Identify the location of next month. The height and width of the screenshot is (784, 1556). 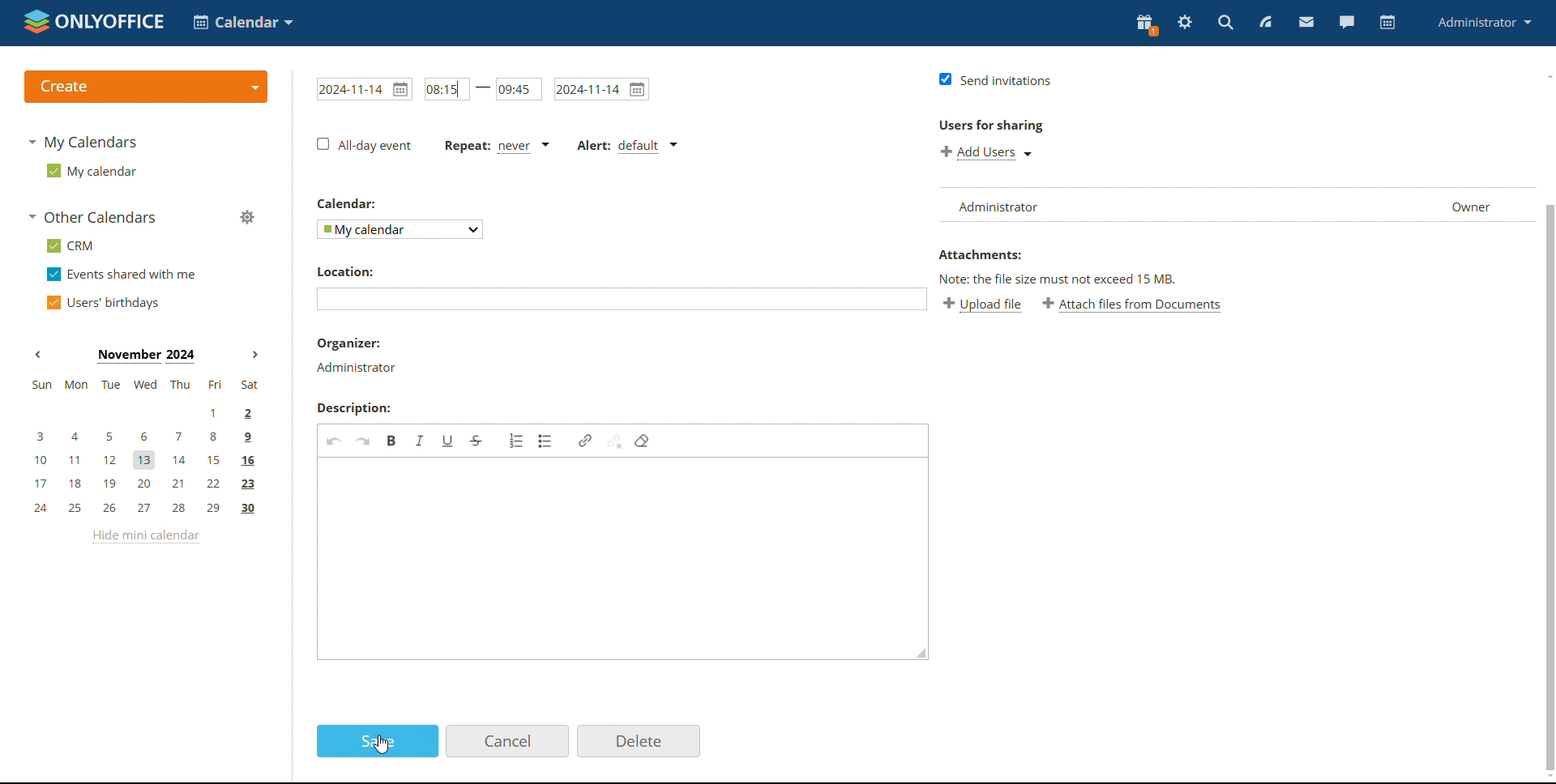
(255, 355).